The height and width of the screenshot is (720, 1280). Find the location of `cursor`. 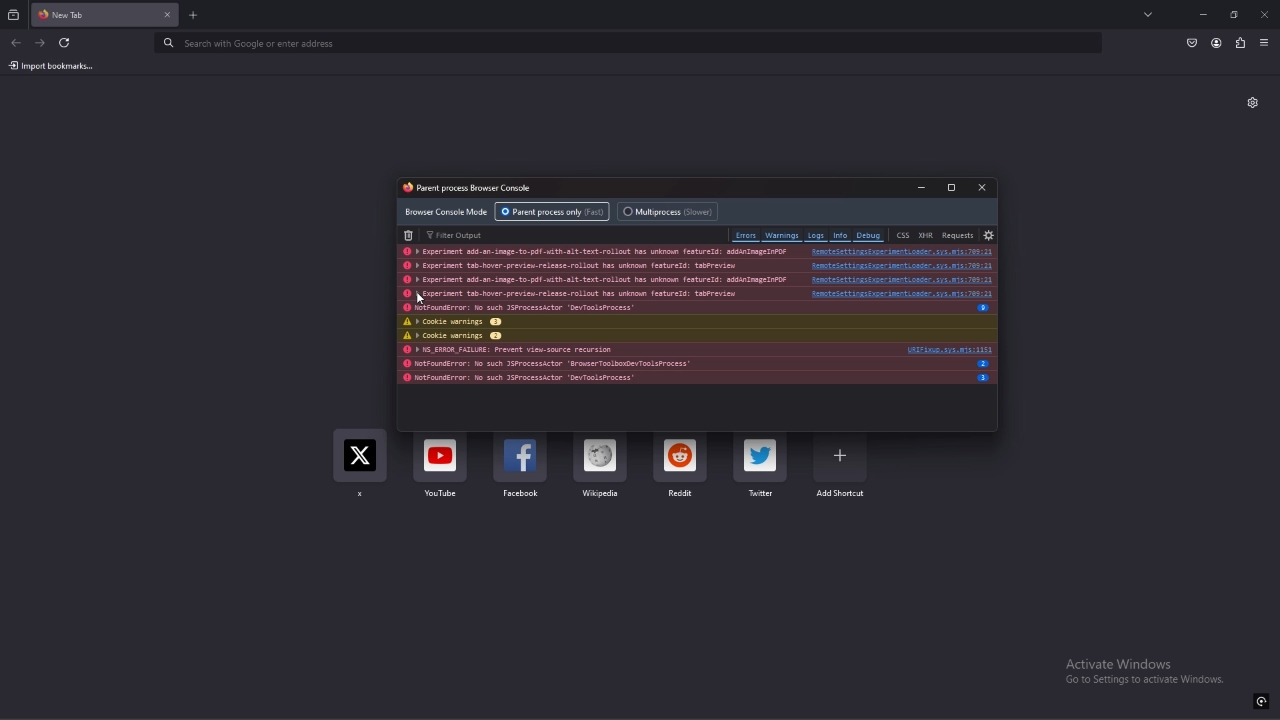

cursor is located at coordinates (420, 299).